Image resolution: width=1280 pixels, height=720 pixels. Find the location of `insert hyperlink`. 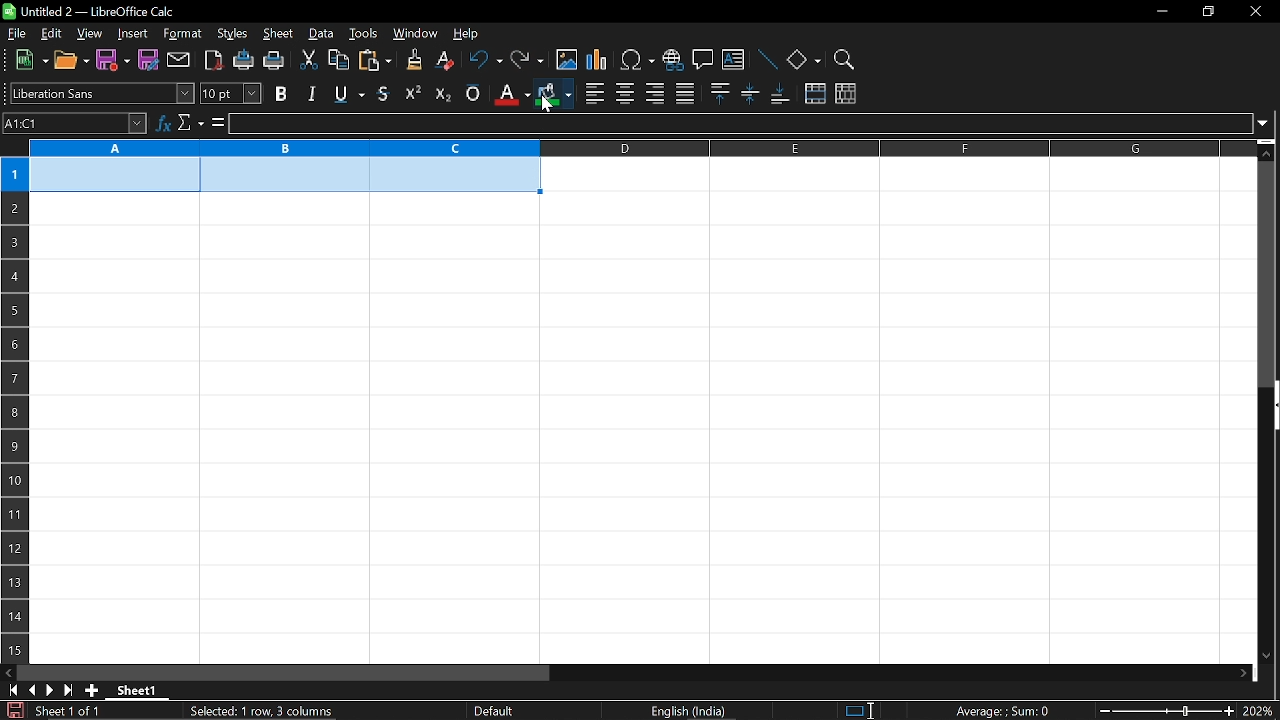

insert hyperlink is located at coordinates (672, 58).